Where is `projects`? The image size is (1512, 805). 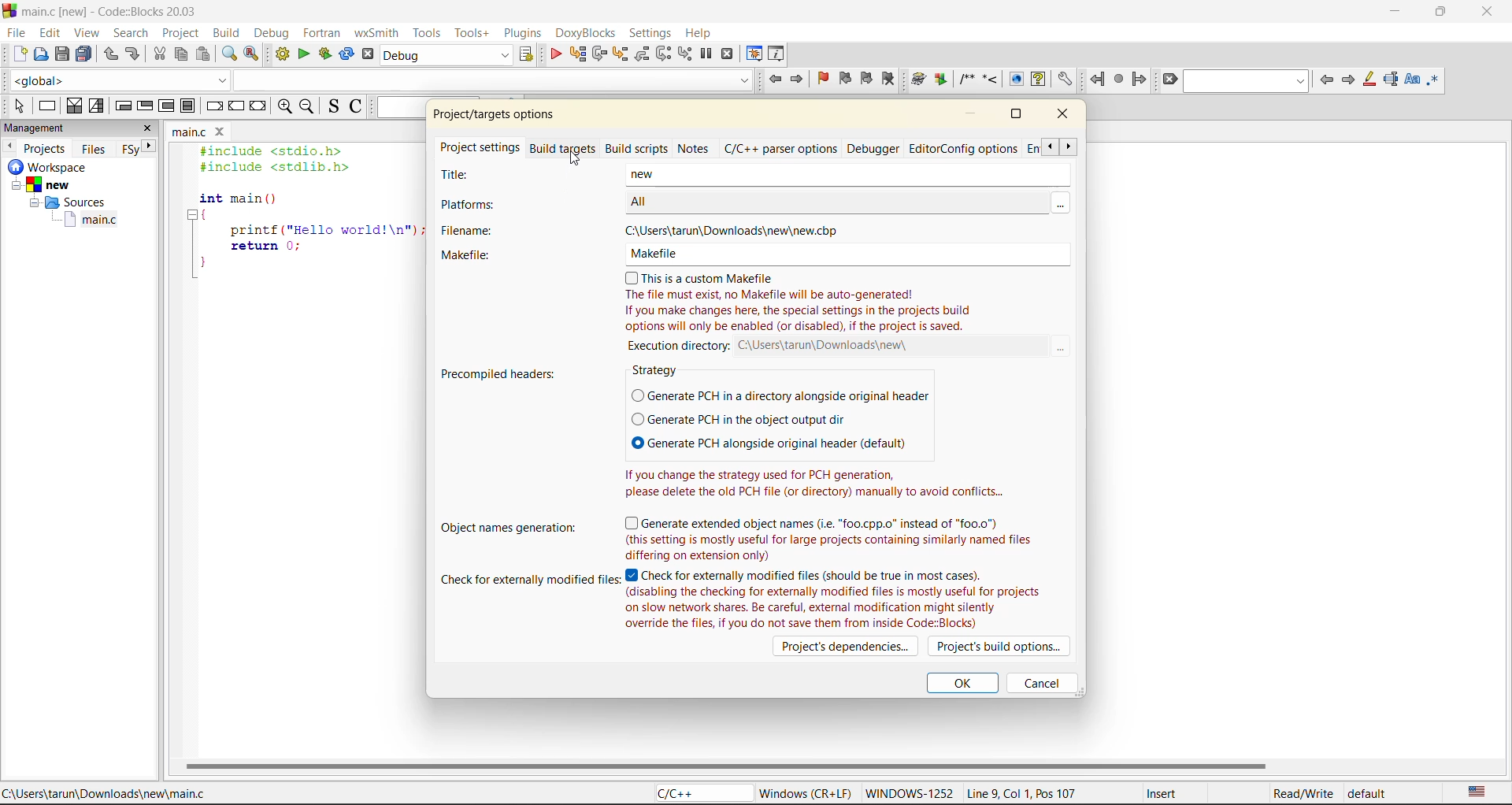
projects is located at coordinates (47, 148).